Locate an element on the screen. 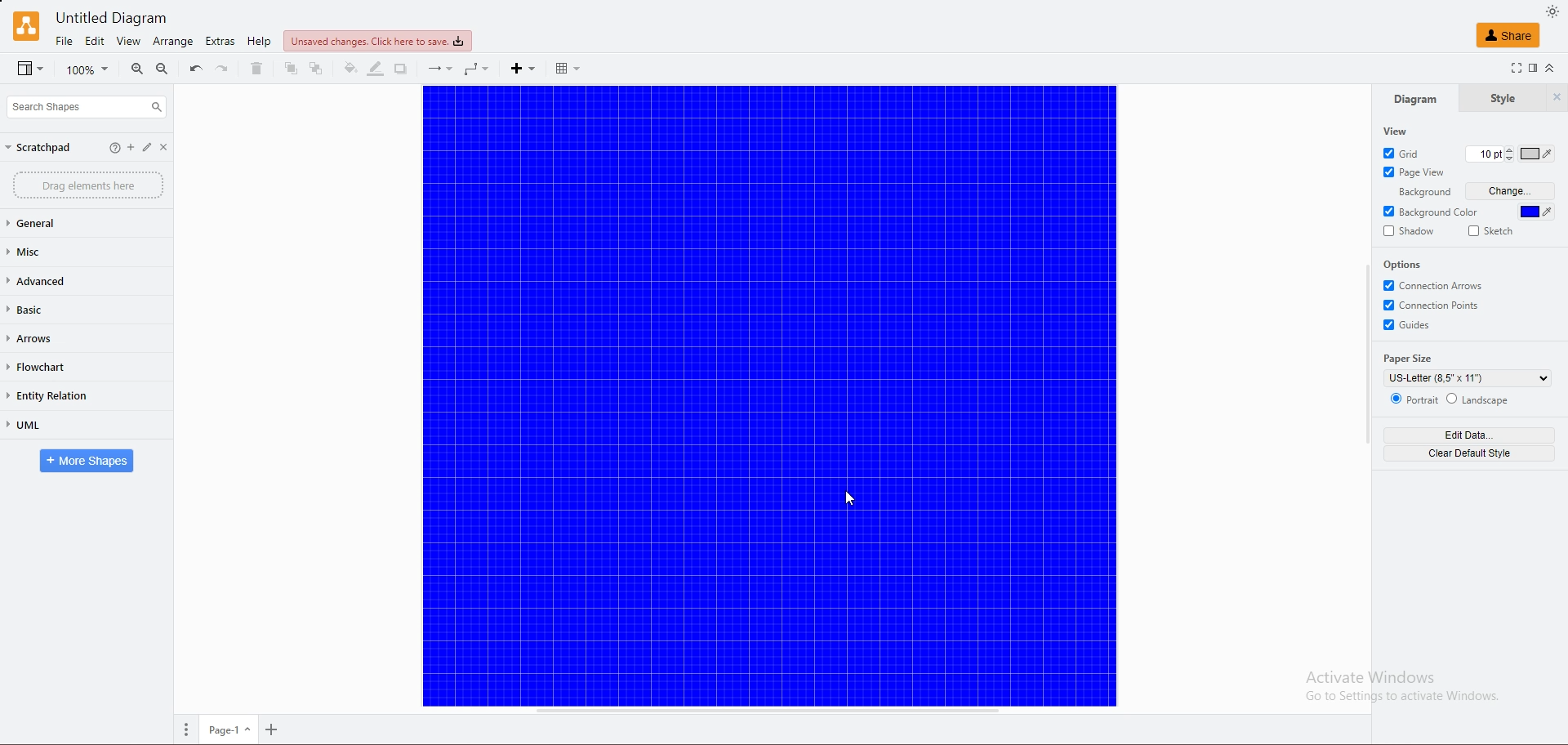 The image size is (1568, 745). delete is located at coordinates (256, 69).